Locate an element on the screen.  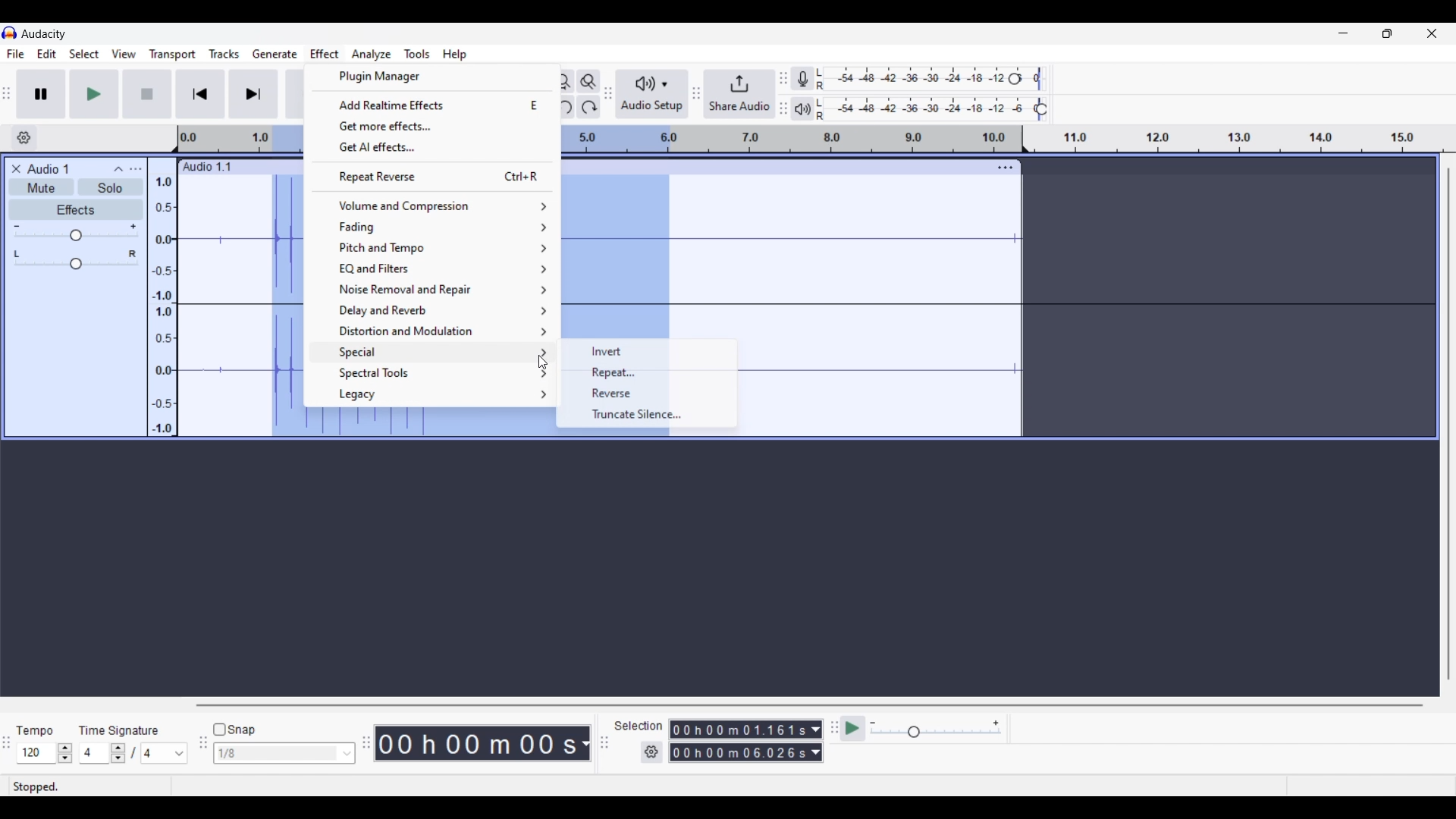
Playback level is located at coordinates (927, 109).